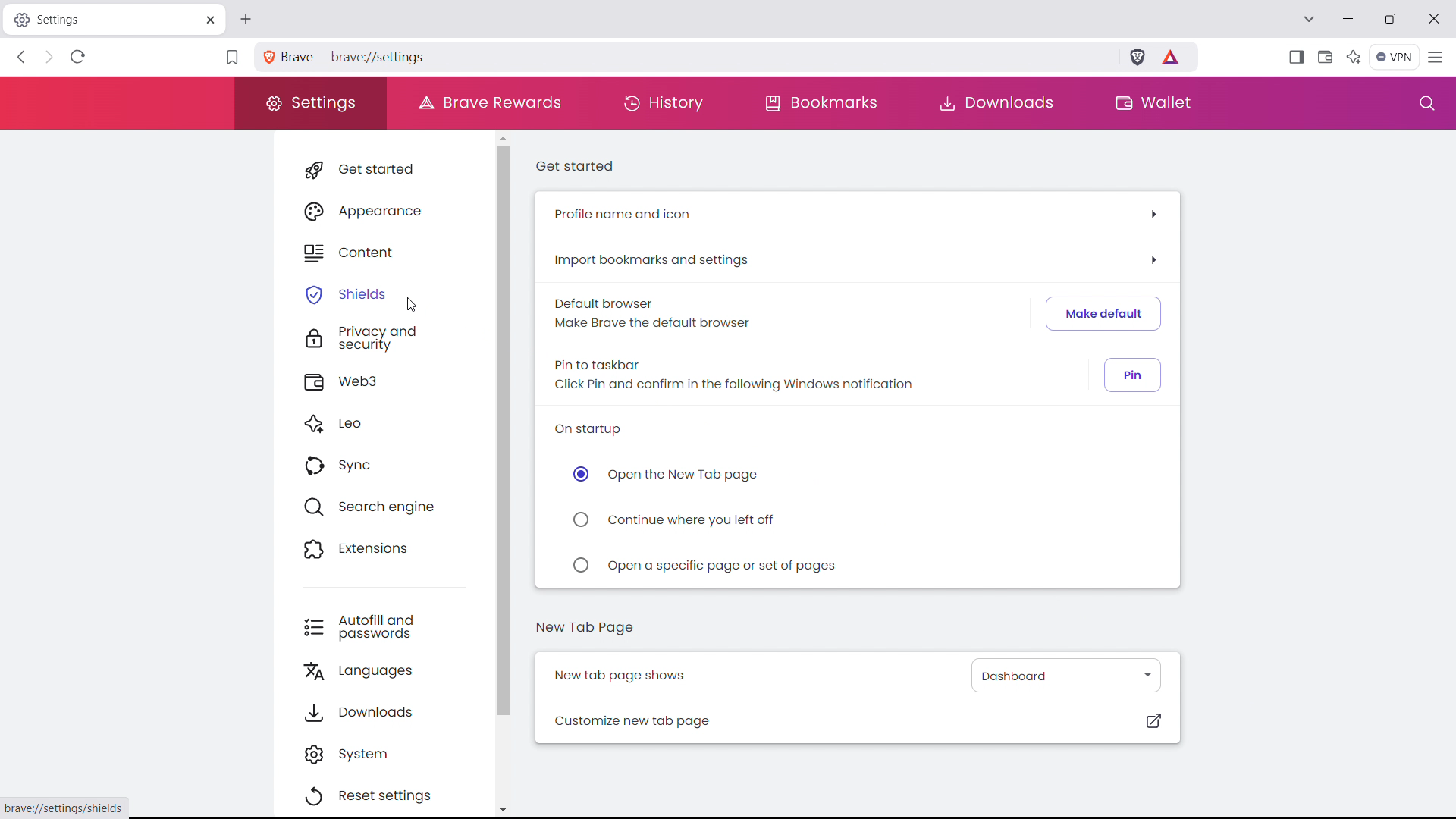 The height and width of the screenshot is (819, 1456). I want to click on open the new tab page, so click(687, 475).